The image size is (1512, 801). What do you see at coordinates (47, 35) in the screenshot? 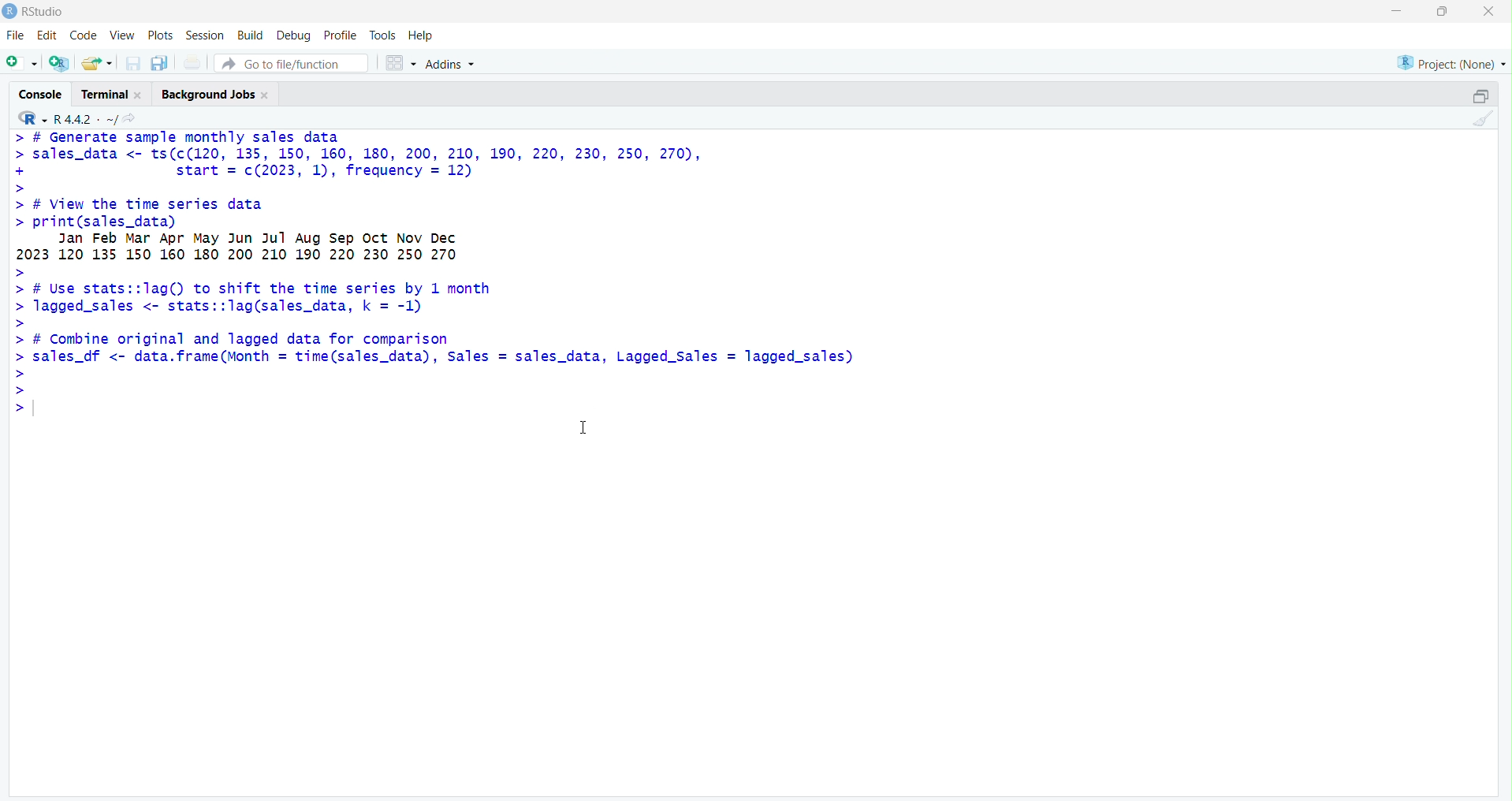
I see `edit` at bounding box center [47, 35].